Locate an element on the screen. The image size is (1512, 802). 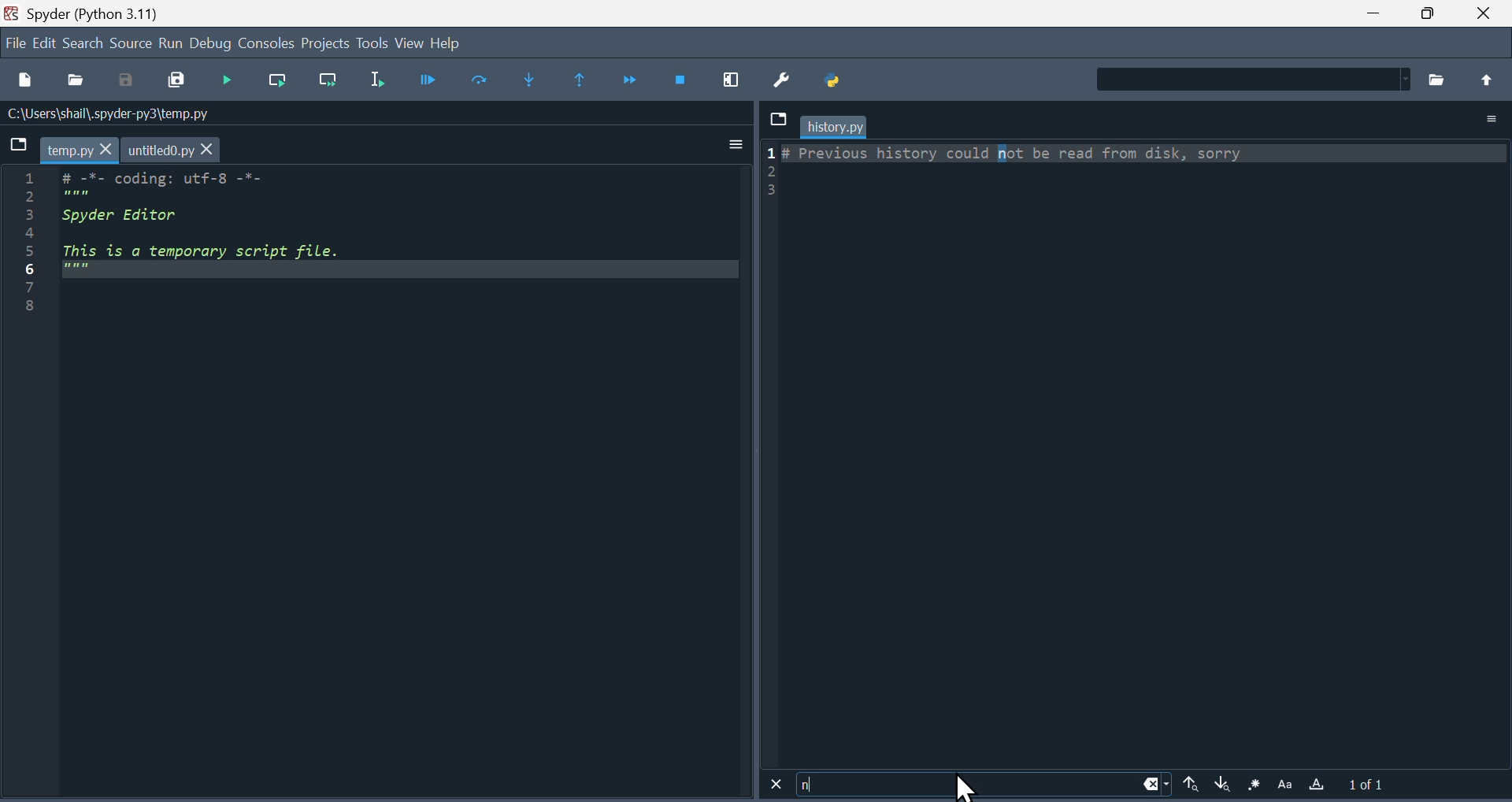
Tools is located at coordinates (372, 42).